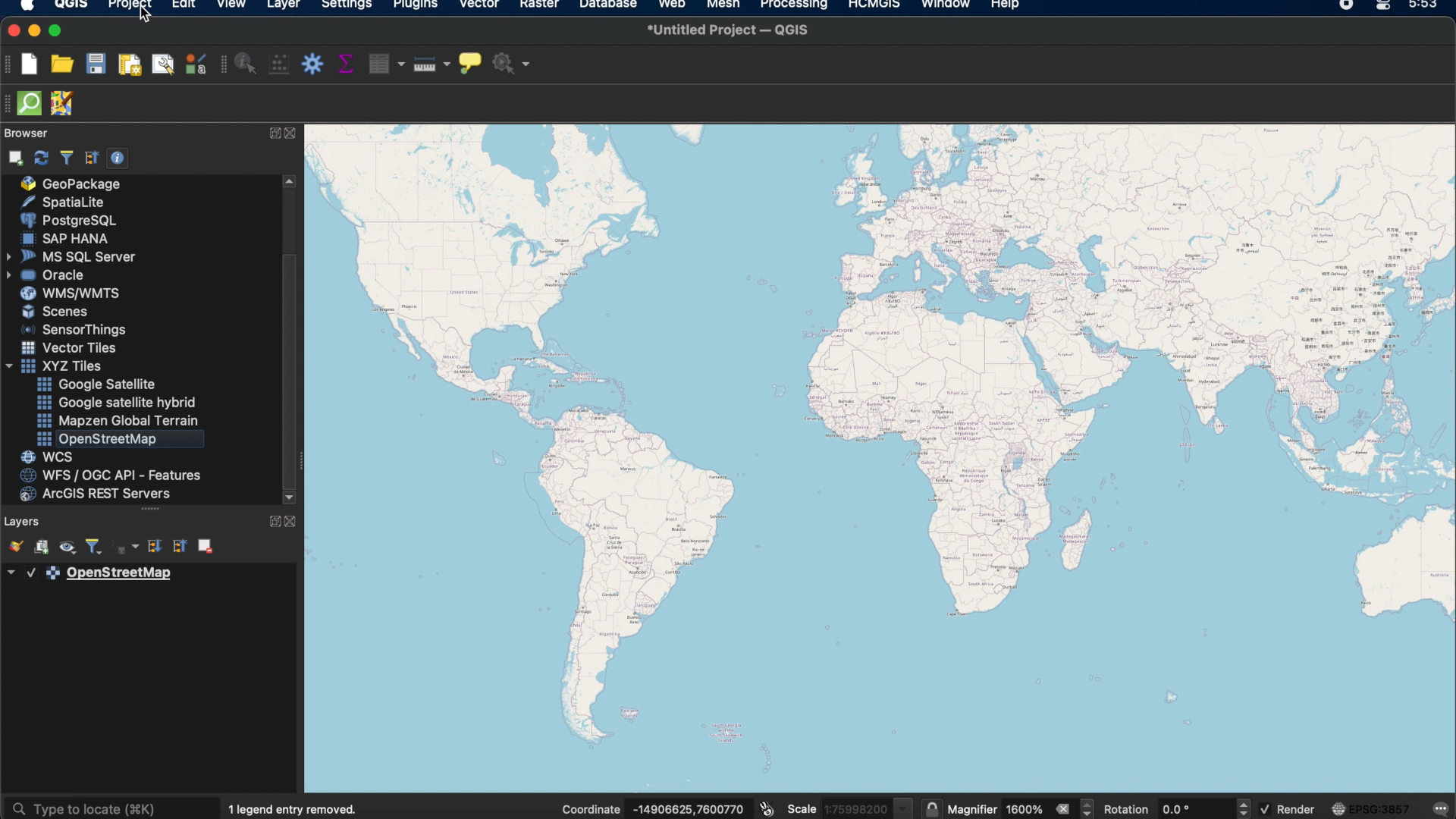 Image resolution: width=1456 pixels, height=819 pixels. What do you see at coordinates (1289, 809) in the screenshot?
I see `render` at bounding box center [1289, 809].